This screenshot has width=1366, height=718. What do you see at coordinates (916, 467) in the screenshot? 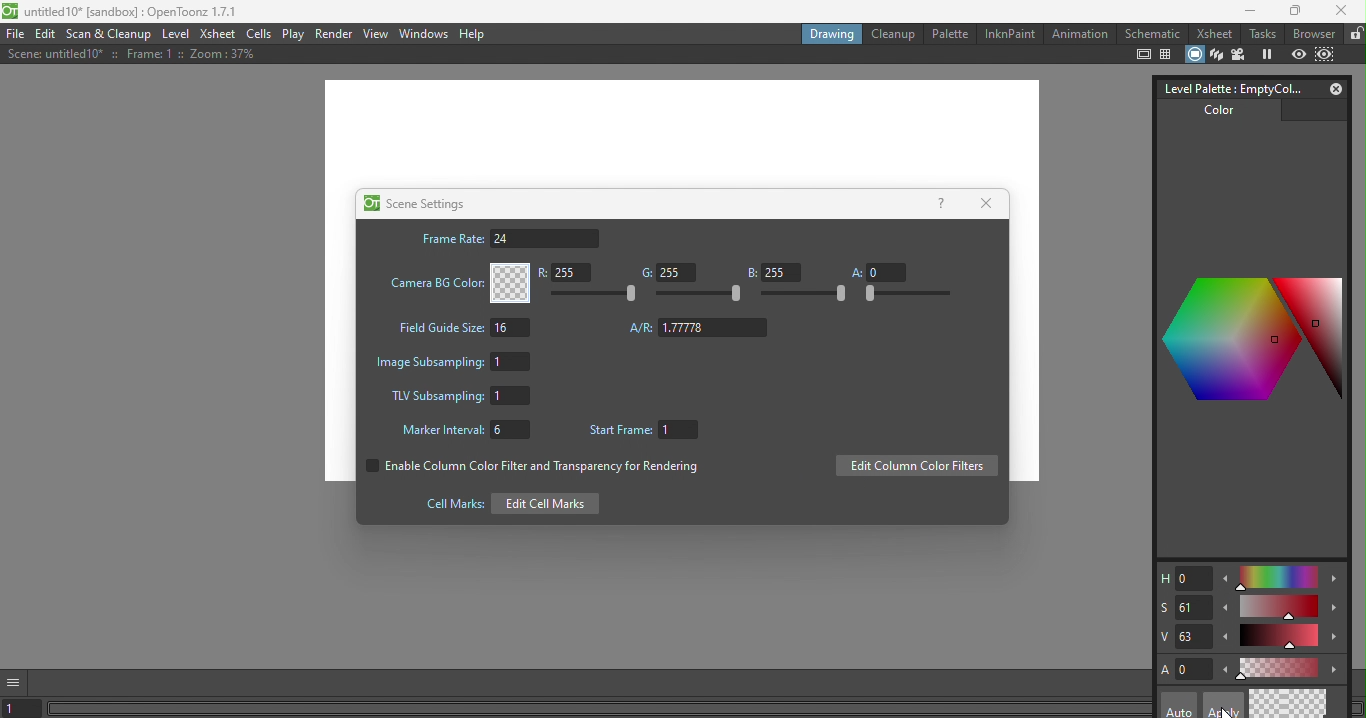
I see `Edit column color filters` at bounding box center [916, 467].